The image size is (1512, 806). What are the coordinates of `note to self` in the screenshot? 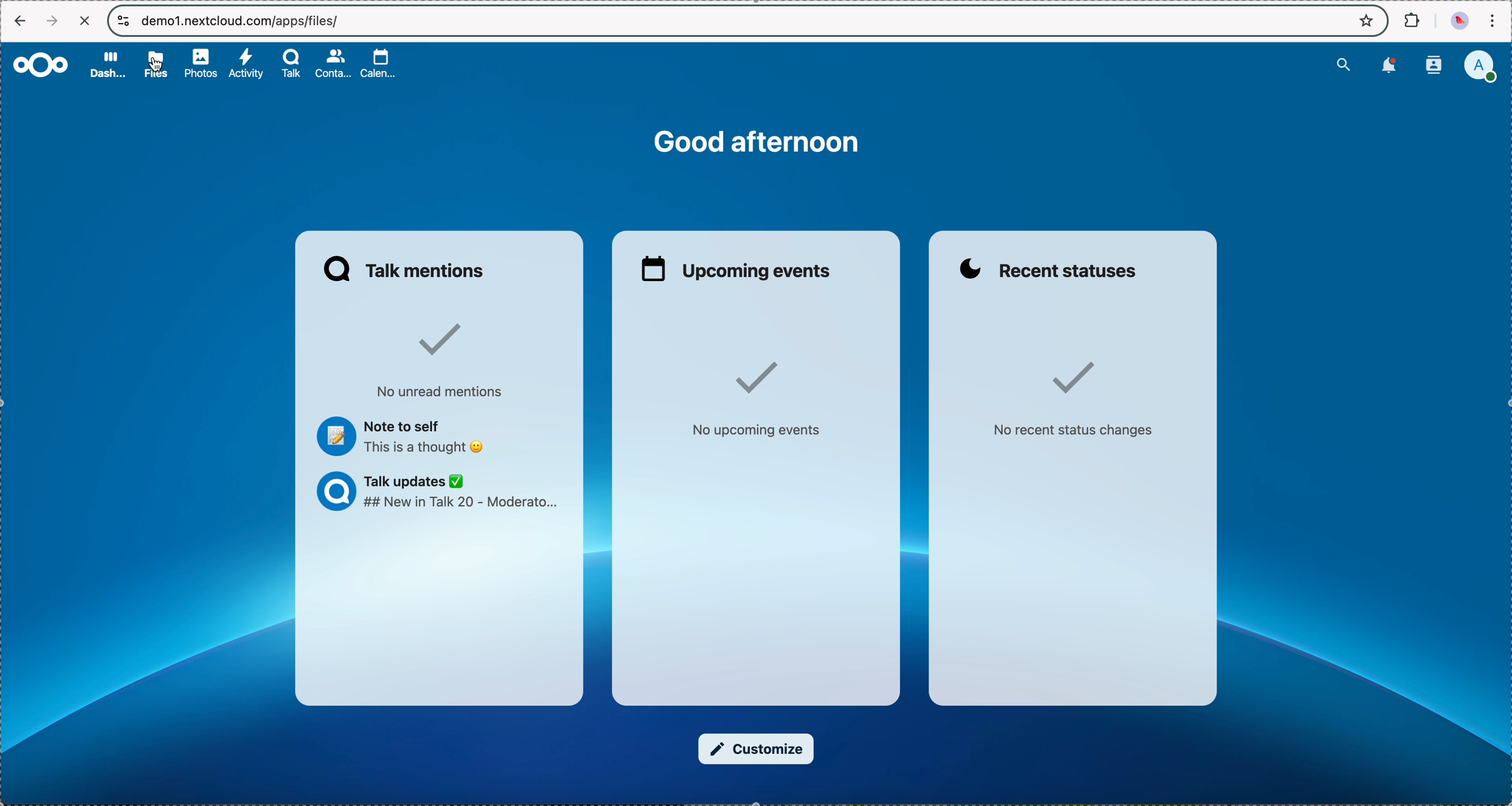 It's located at (399, 439).